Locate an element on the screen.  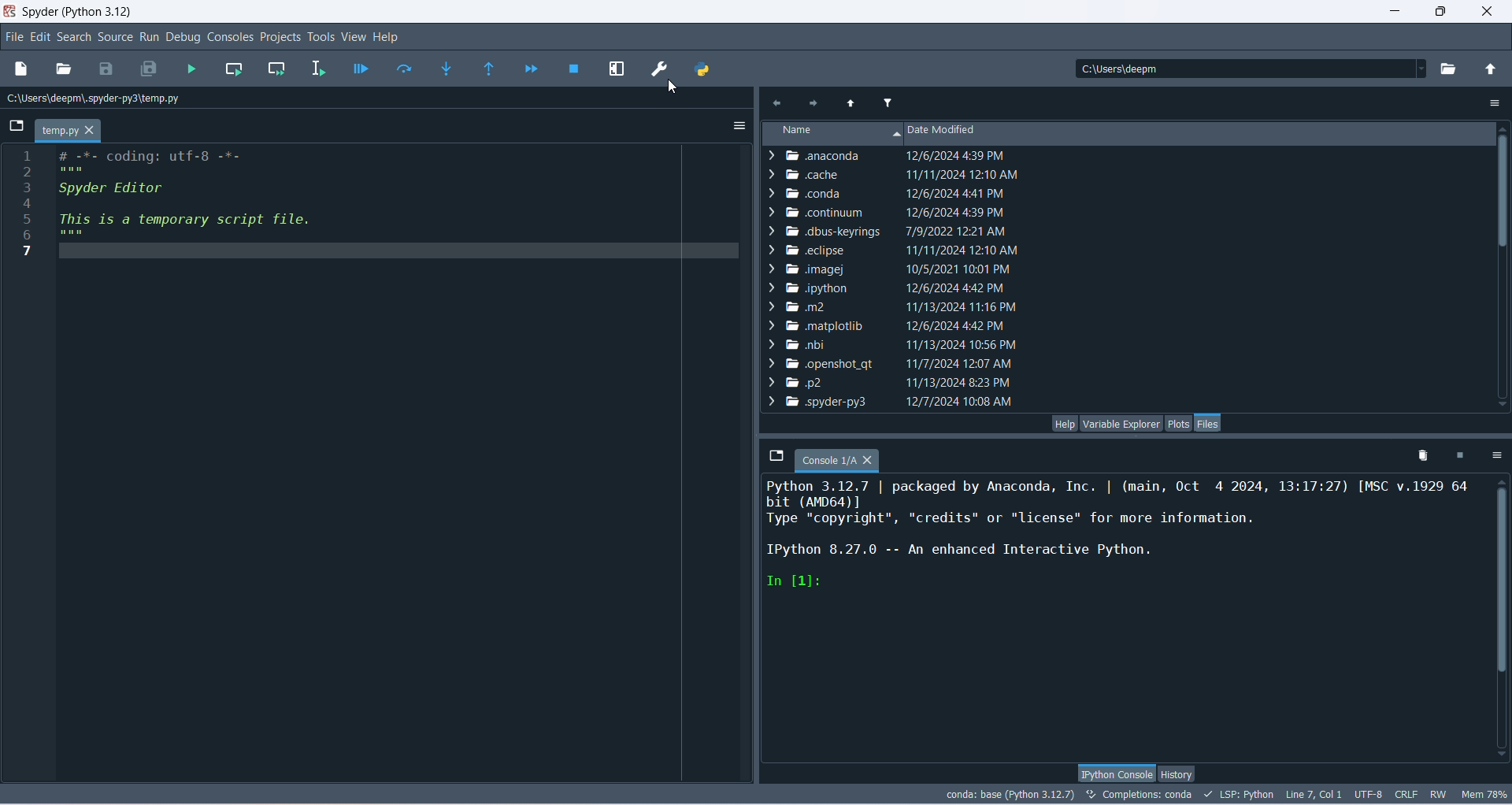
source is located at coordinates (117, 38).